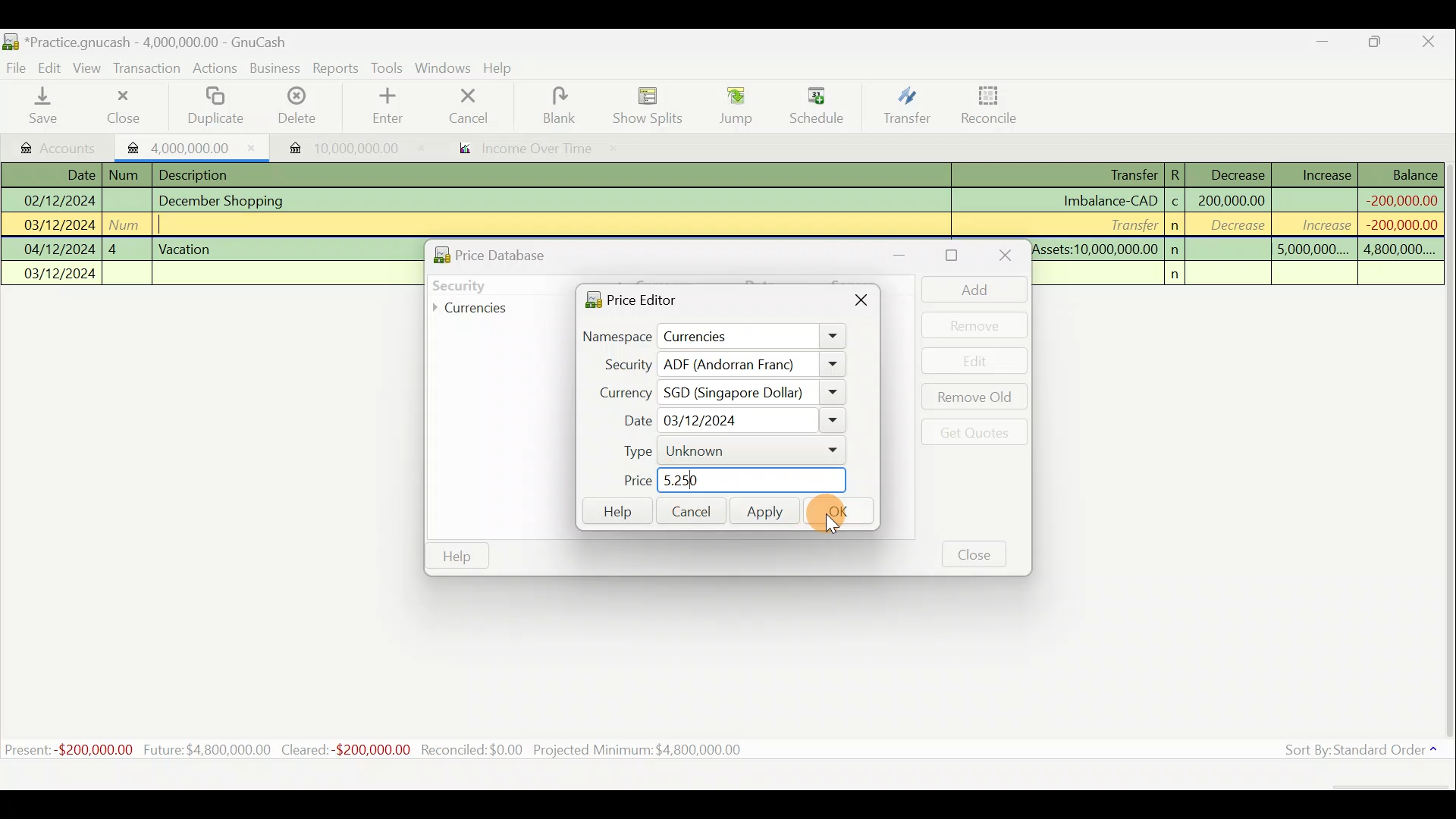 This screenshot has width=1456, height=819. What do you see at coordinates (863, 303) in the screenshot?
I see `Close` at bounding box center [863, 303].